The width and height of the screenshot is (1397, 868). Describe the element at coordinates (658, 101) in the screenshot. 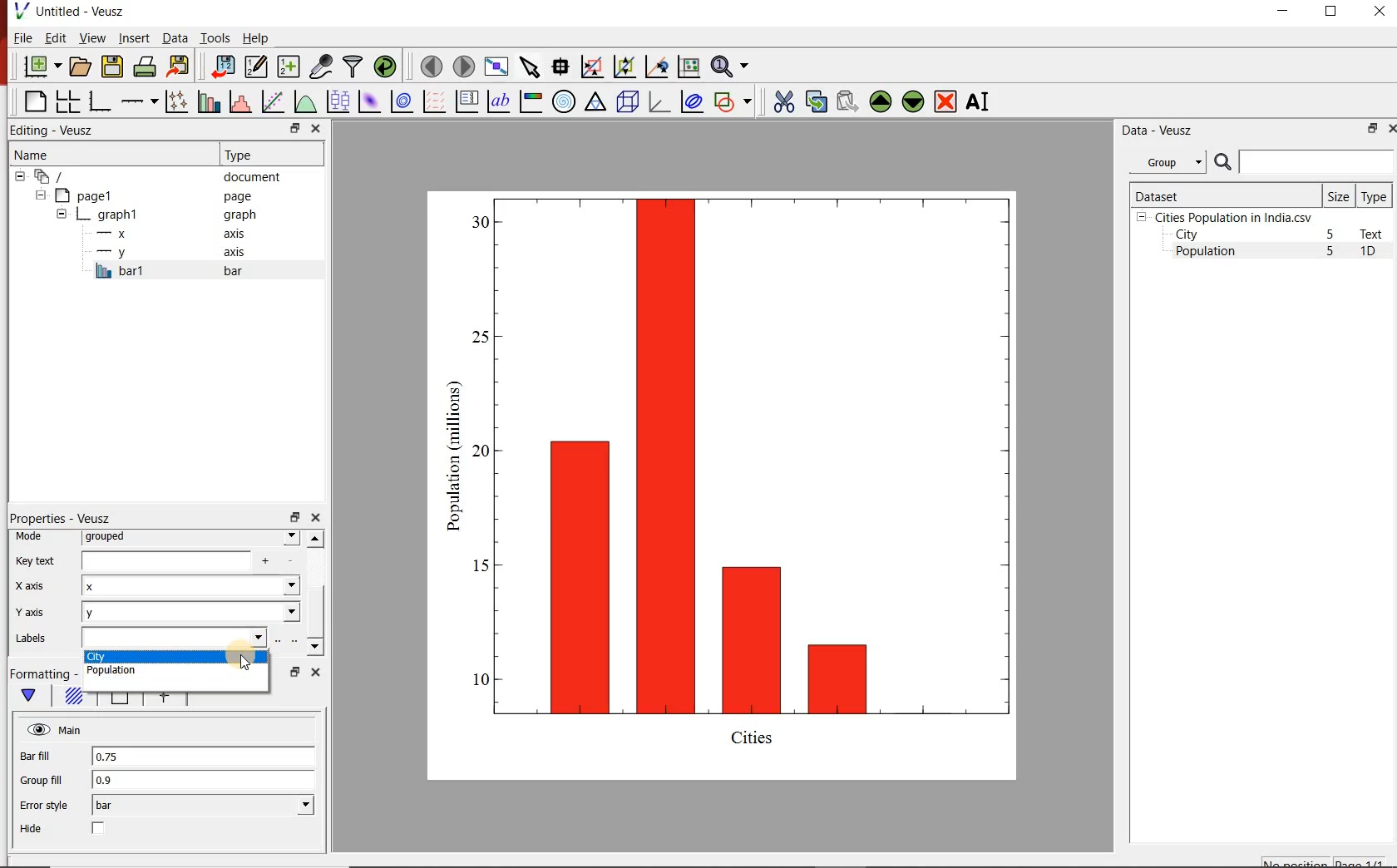

I see `3d graph` at that location.